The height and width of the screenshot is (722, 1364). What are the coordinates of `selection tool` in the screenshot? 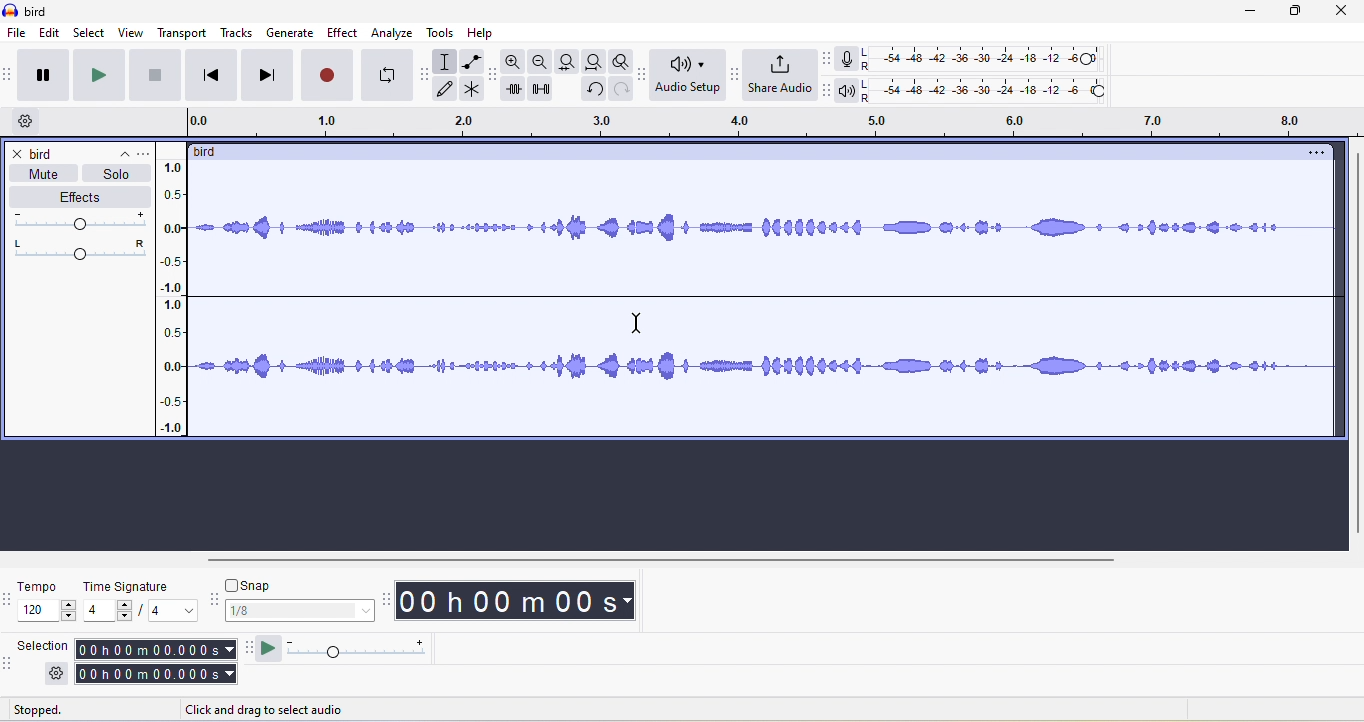 It's located at (447, 61).